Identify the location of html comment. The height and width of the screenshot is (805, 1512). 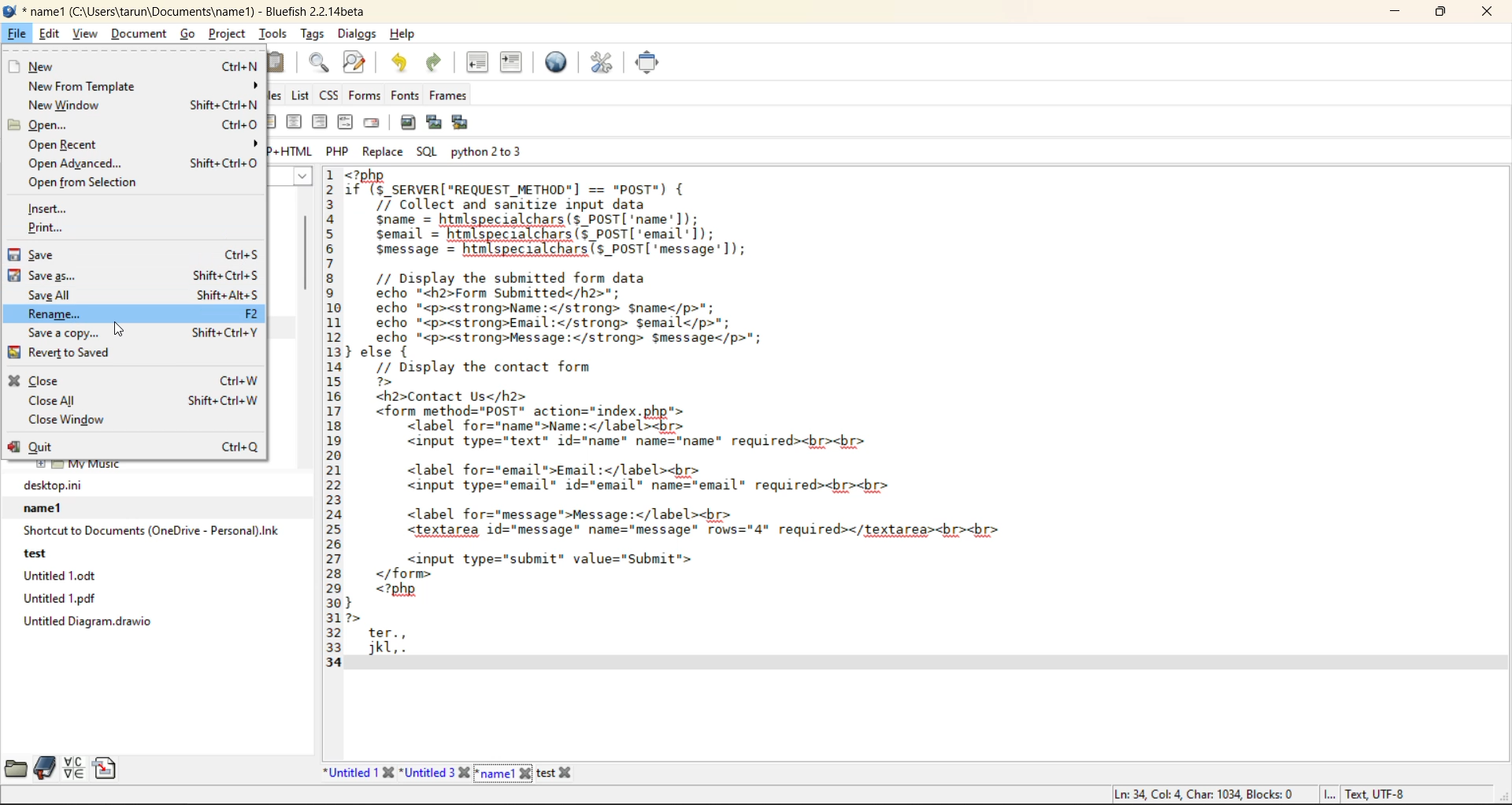
(346, 123).